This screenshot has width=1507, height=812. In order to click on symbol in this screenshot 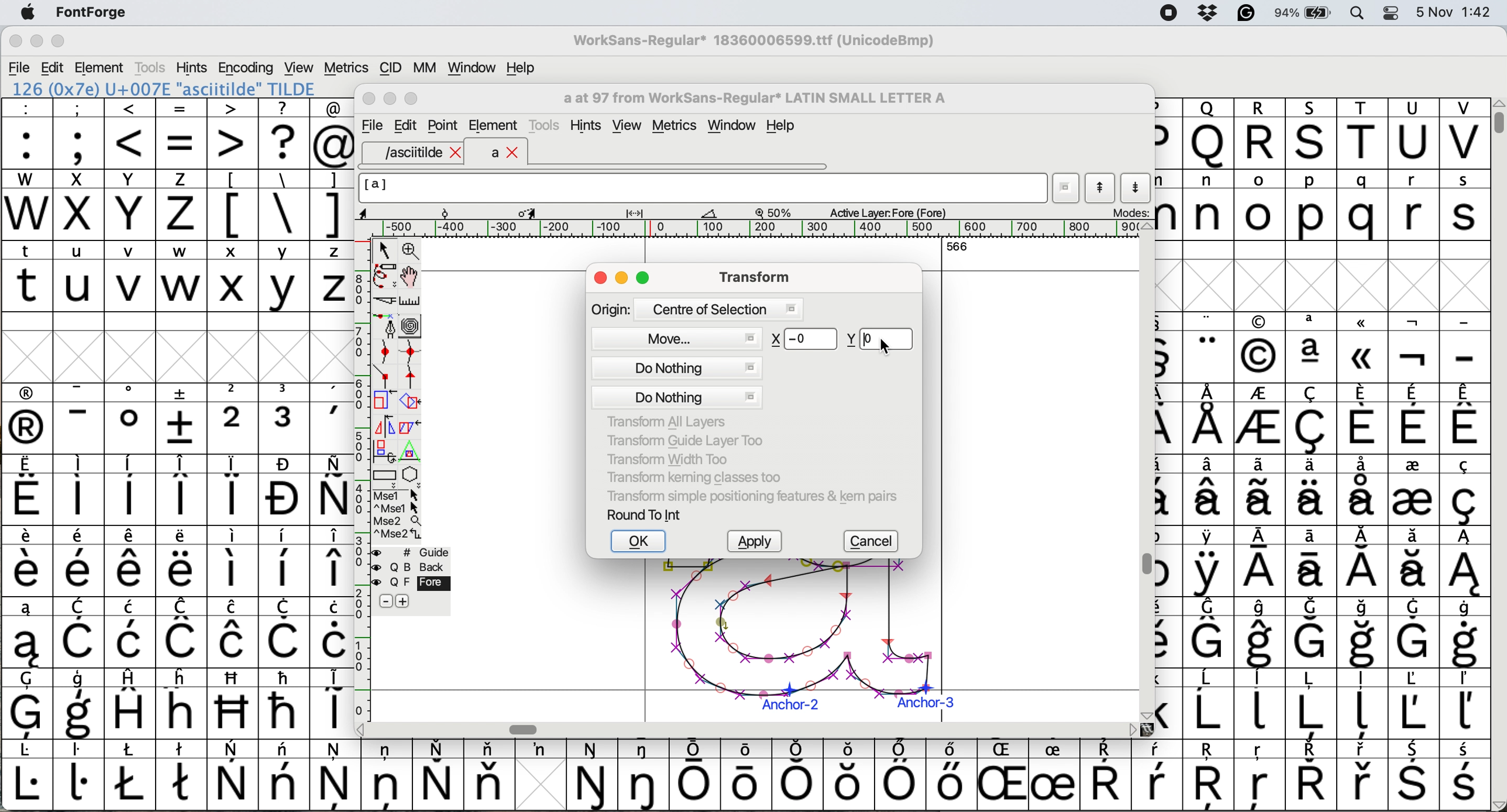, I will do `click(1054, 776)`.